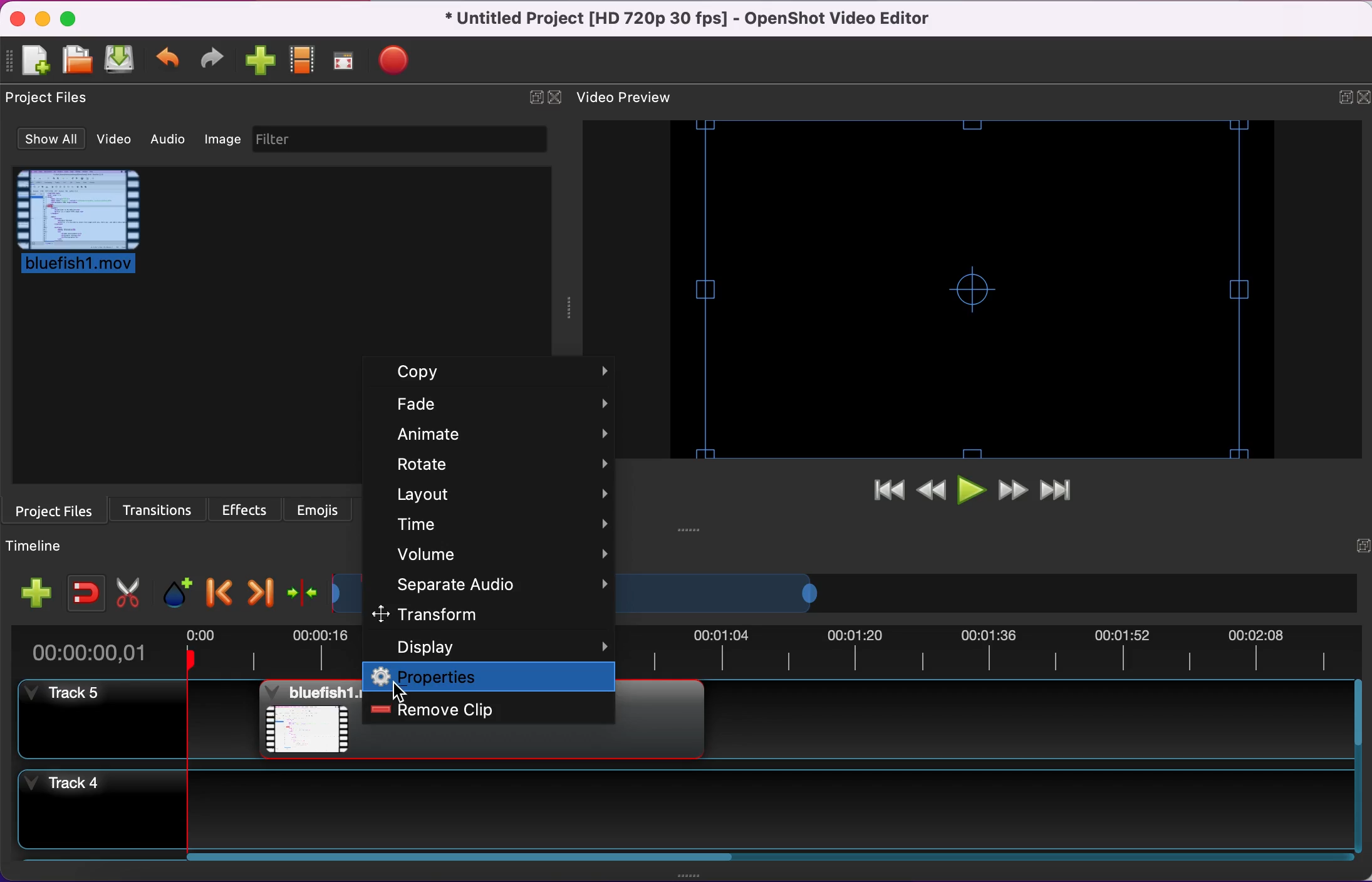  I want to click on title, so click(689, 19).